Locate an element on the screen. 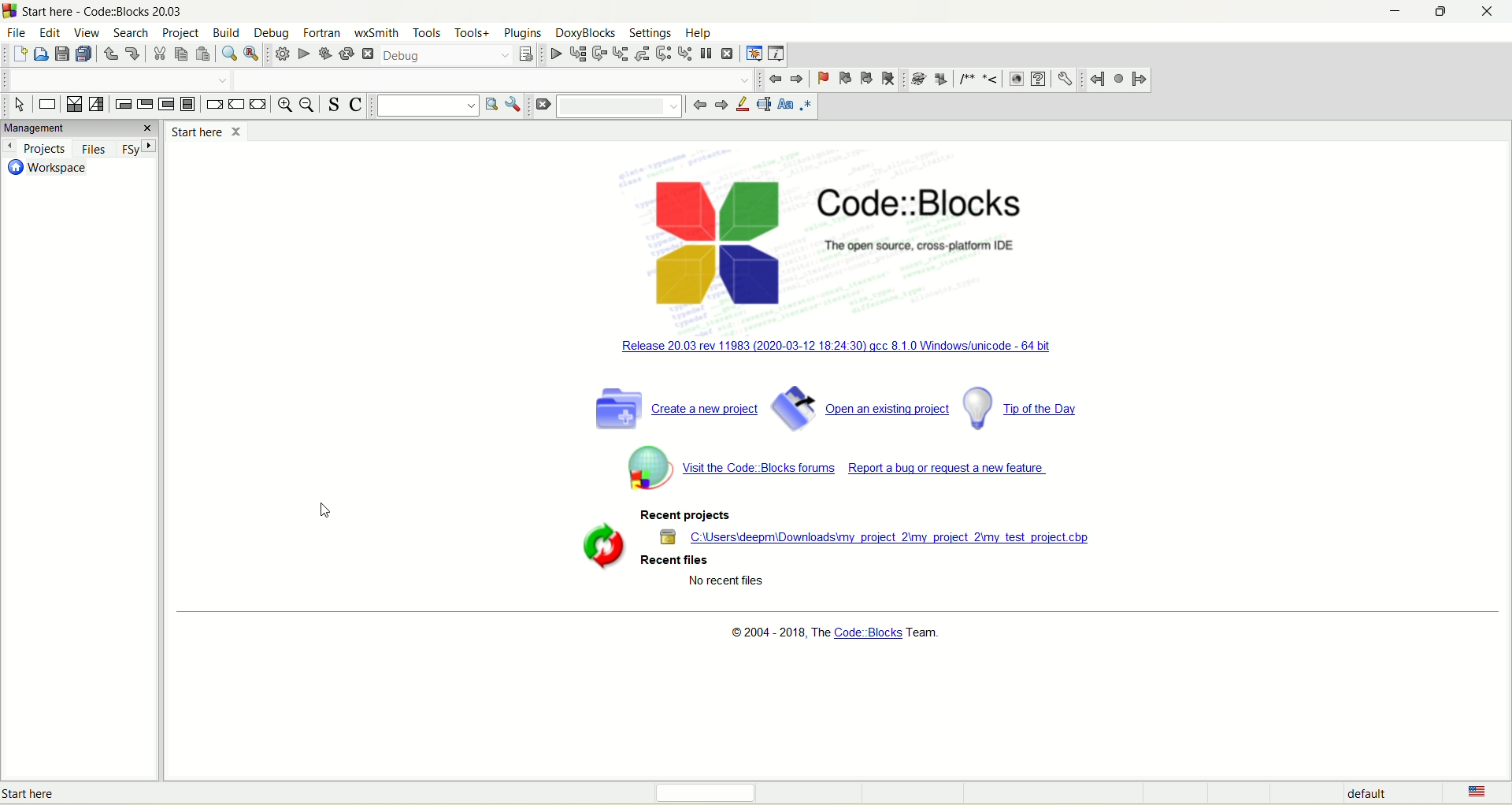  selected text is located at coordinates (766, 103).